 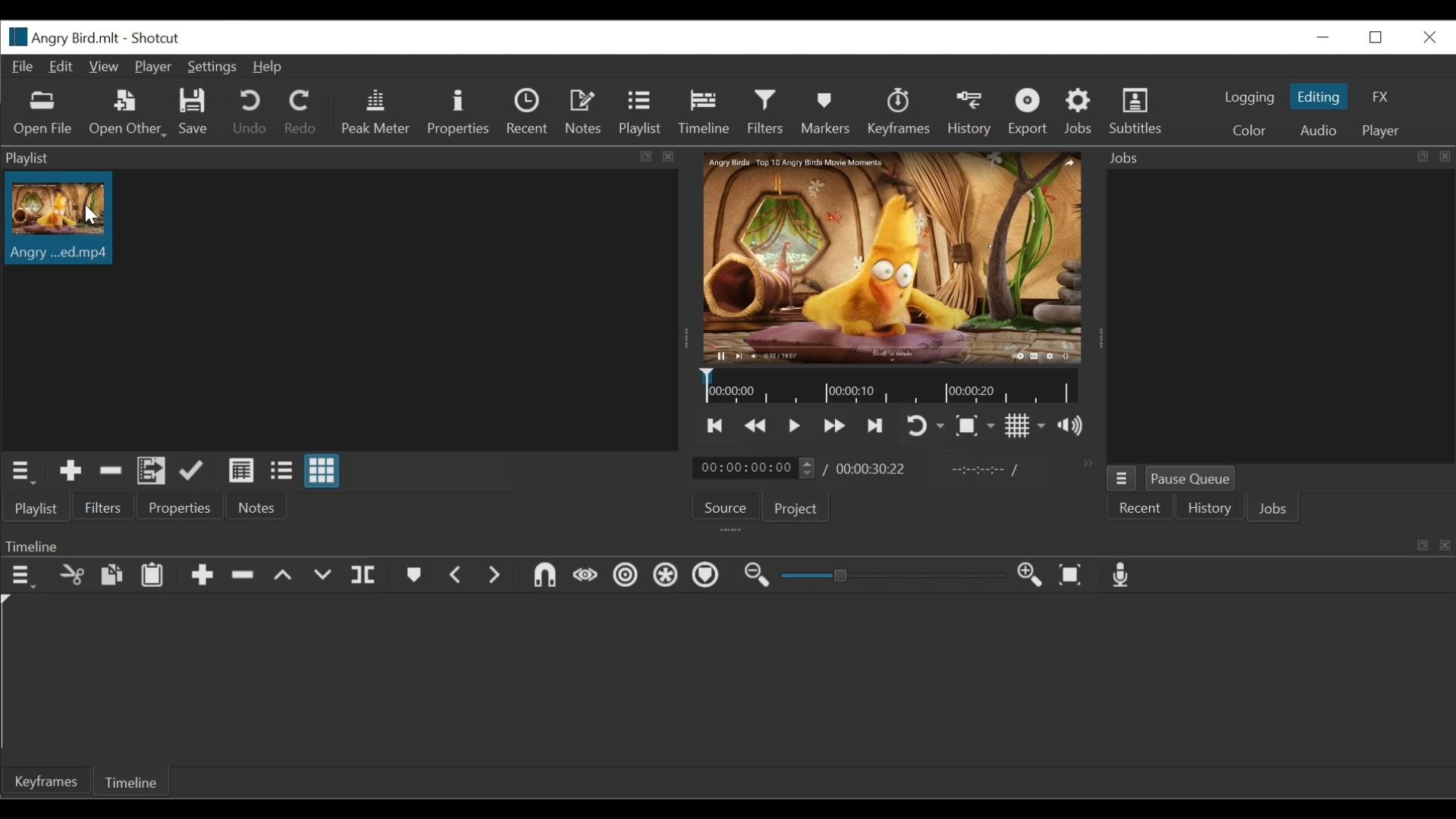 What do you see at coordinates (412, 576) in the screenshot?
I see `Markers` at bounding box center [412, 576].